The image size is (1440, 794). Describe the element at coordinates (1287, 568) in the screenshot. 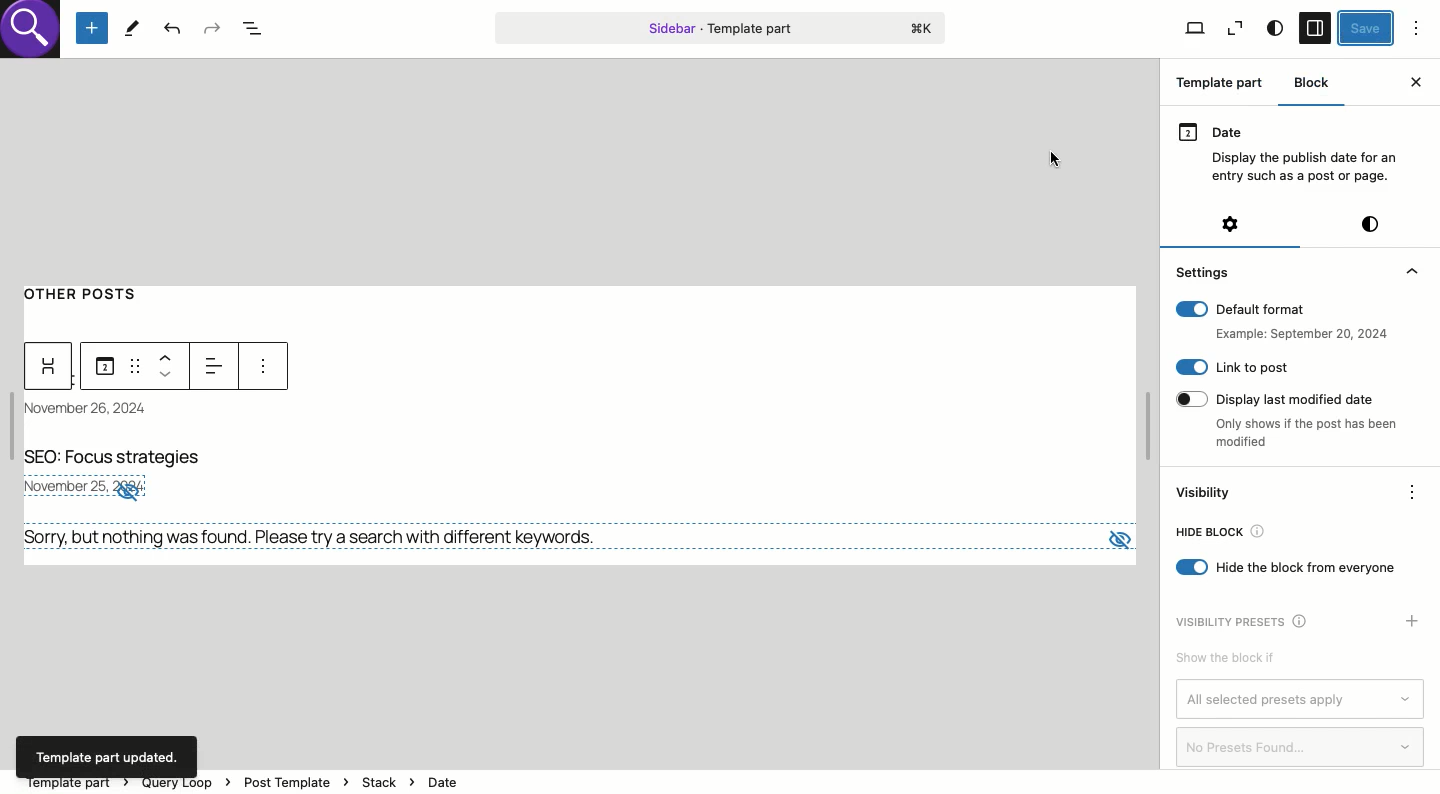

I see `Hide block from everyone` at that location.